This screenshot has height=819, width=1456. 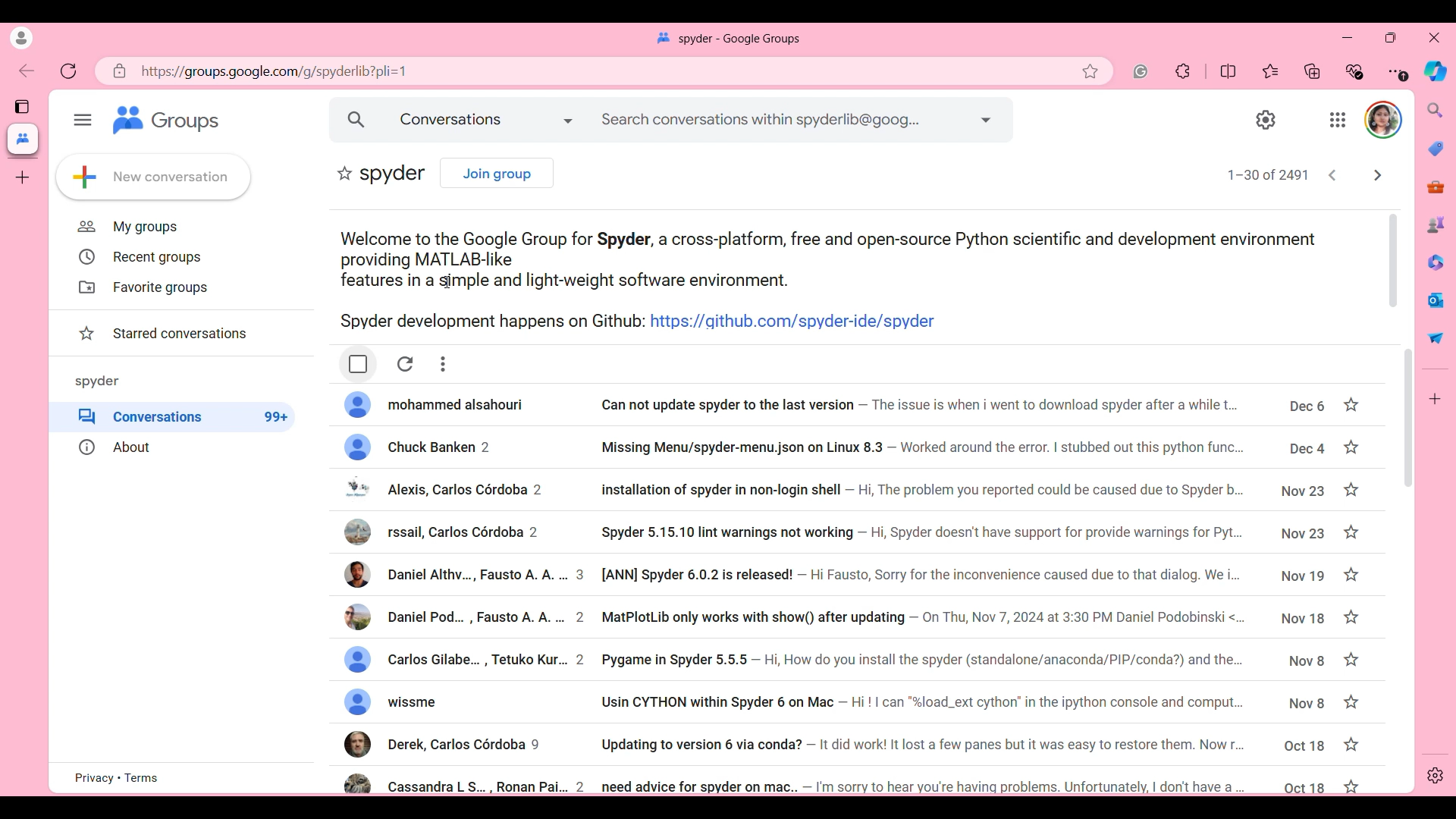 What do you see at coordinates (357, 119) in the screenshot?
I see `Search` at bounding box center [357, 119].